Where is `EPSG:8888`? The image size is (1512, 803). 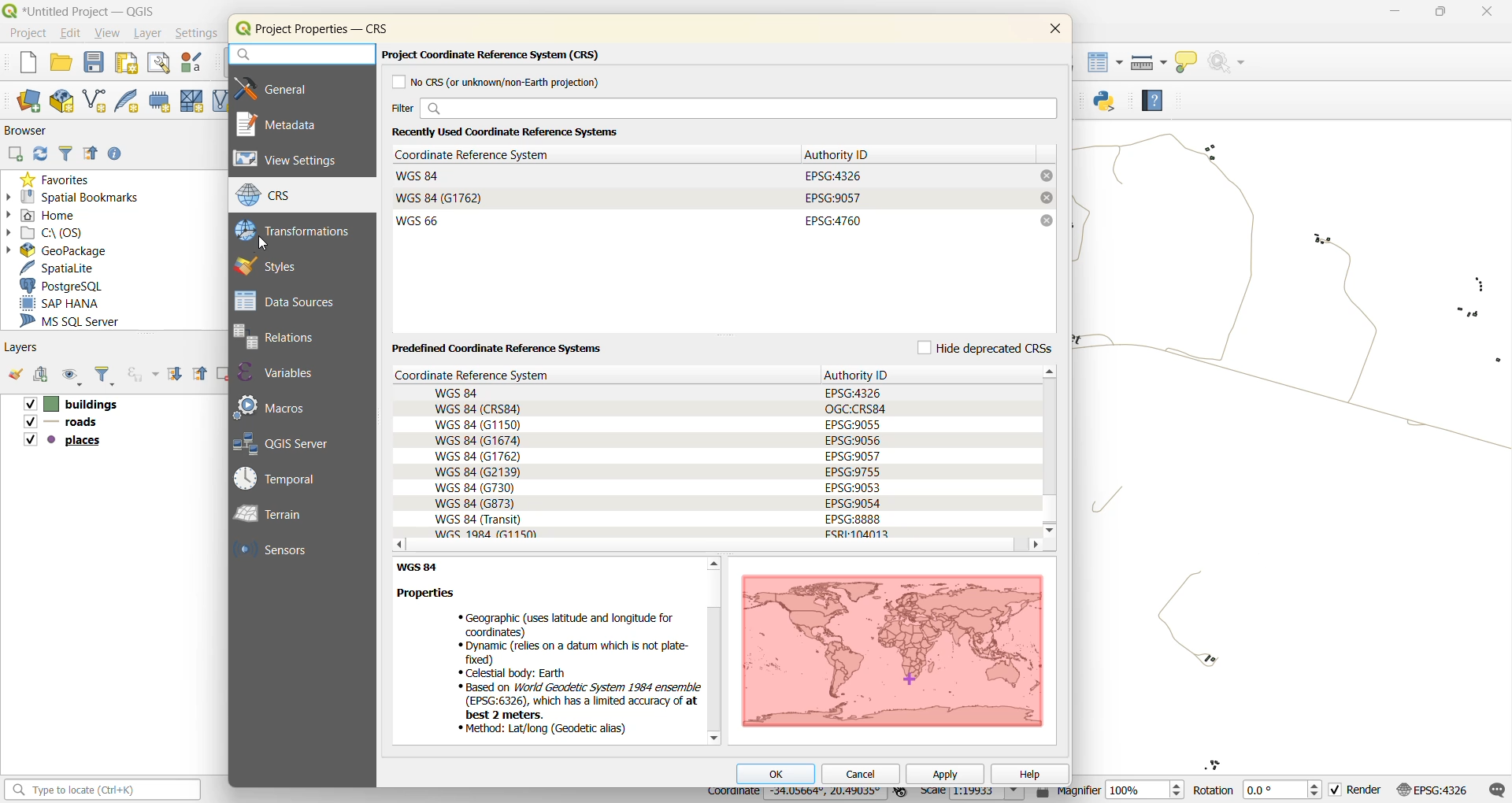
EPSG:8888 is located at coordinates (854, 519).